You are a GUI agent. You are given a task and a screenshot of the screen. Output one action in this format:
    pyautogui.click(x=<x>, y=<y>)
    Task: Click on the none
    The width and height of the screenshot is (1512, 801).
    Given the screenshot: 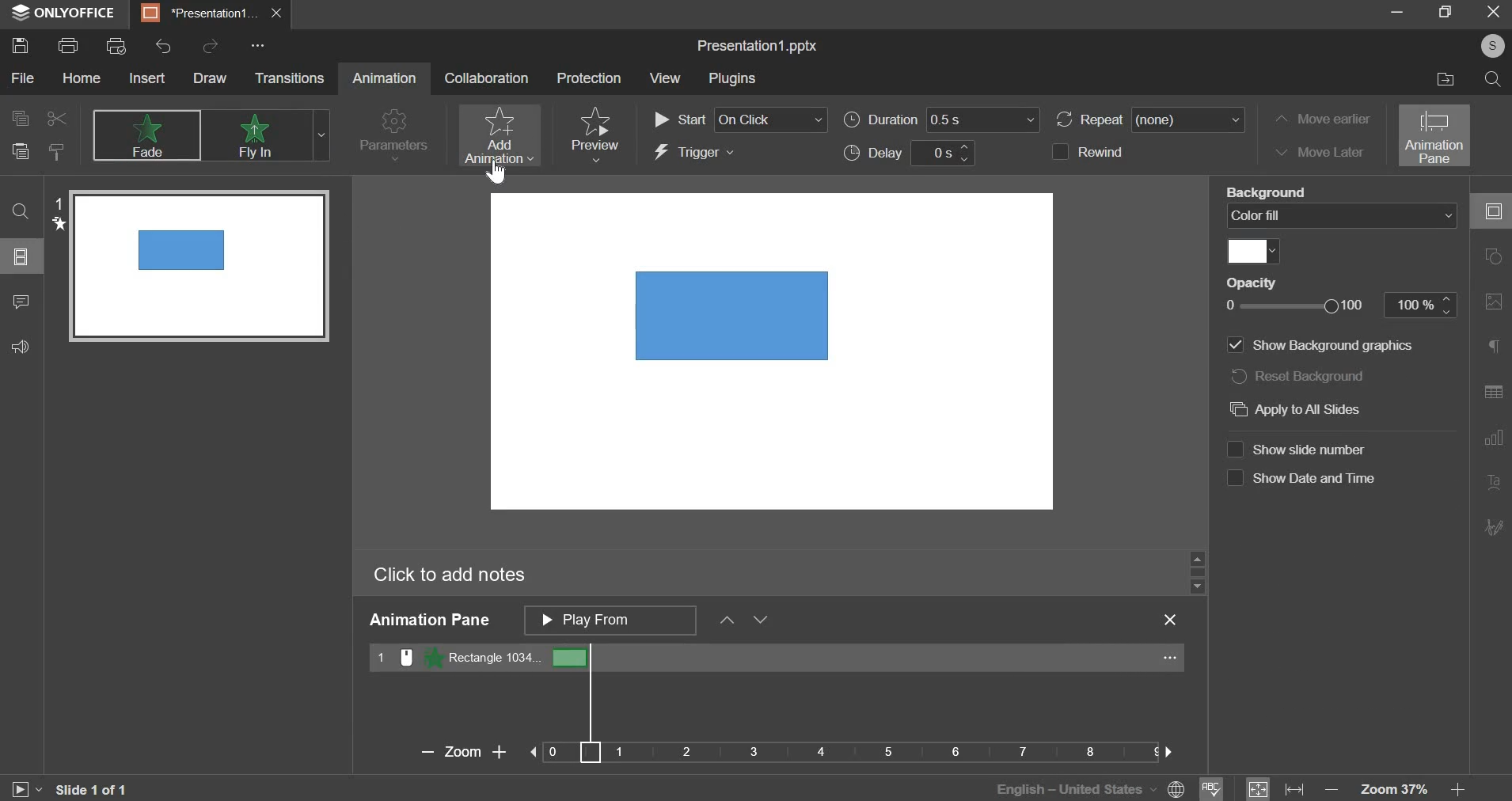 What is the action you would take?
    pyautogui.click(x=146, y=134)
    